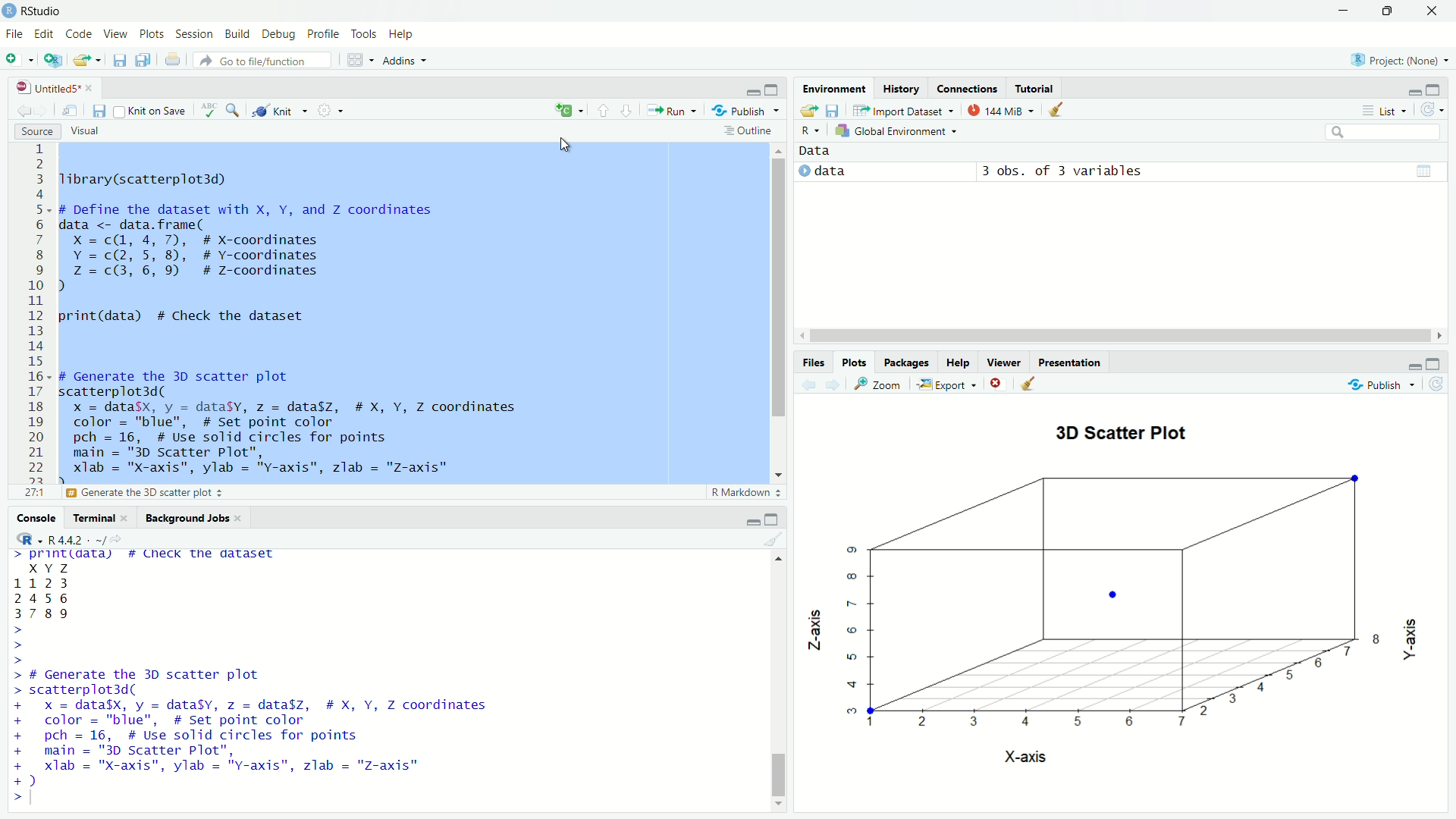 Image resolution: width=1456 pixels, height=819 pixels. Describe the element at coordinates (1388, 11) in the screenshot. I see `maximize` at that location.